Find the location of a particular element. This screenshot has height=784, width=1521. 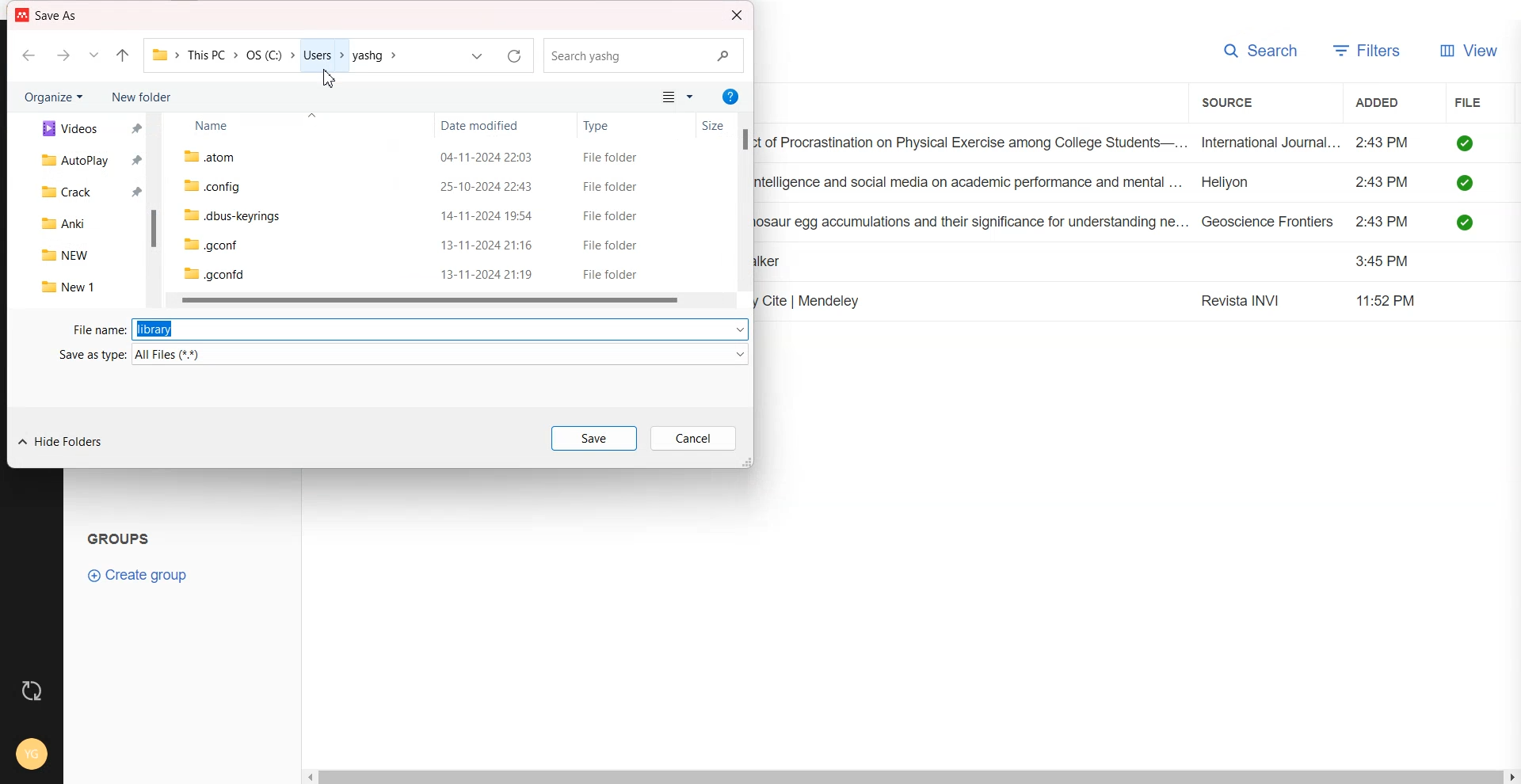

Organize is located at coordinates (55, 97).